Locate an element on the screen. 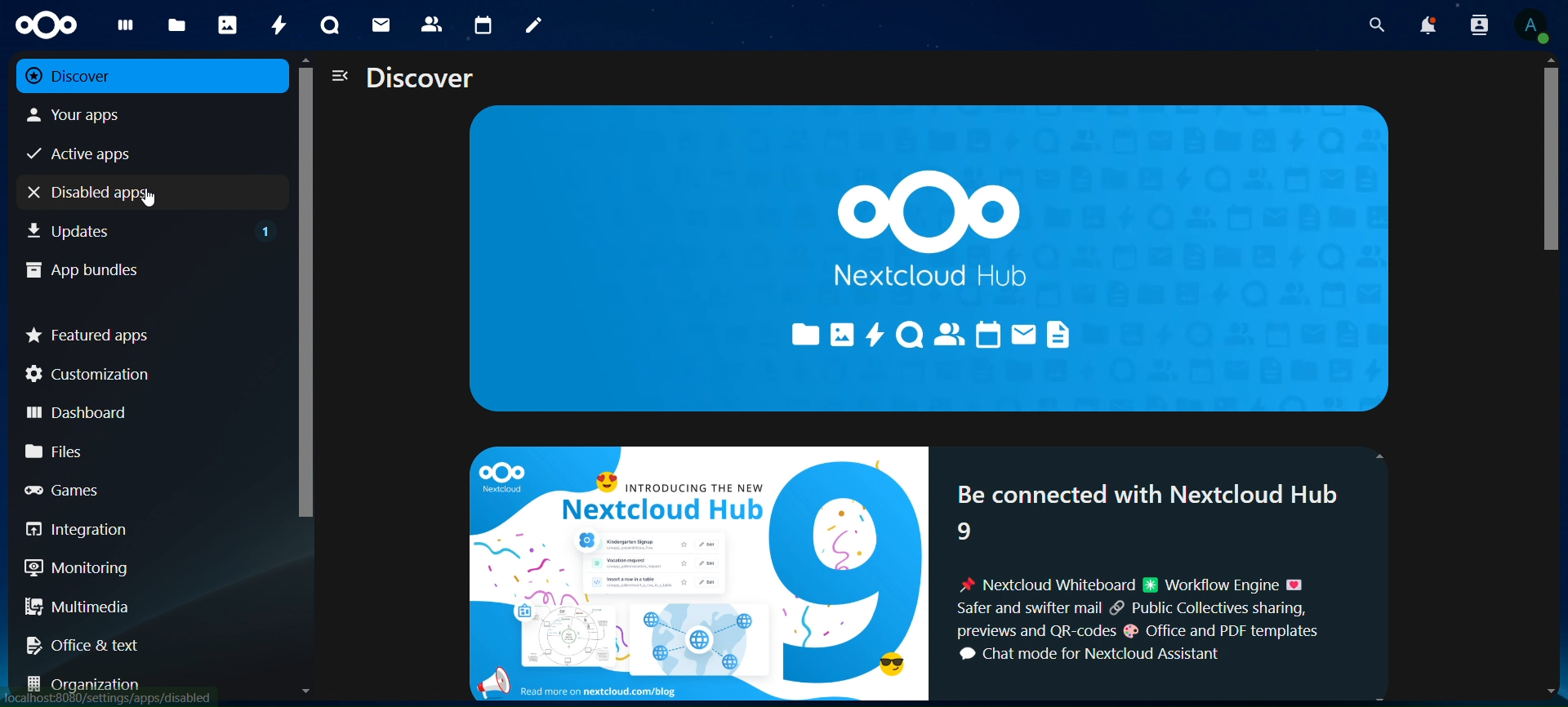 This screenshot has width=1568, height=707. photos is located at coordinates (227, 24).